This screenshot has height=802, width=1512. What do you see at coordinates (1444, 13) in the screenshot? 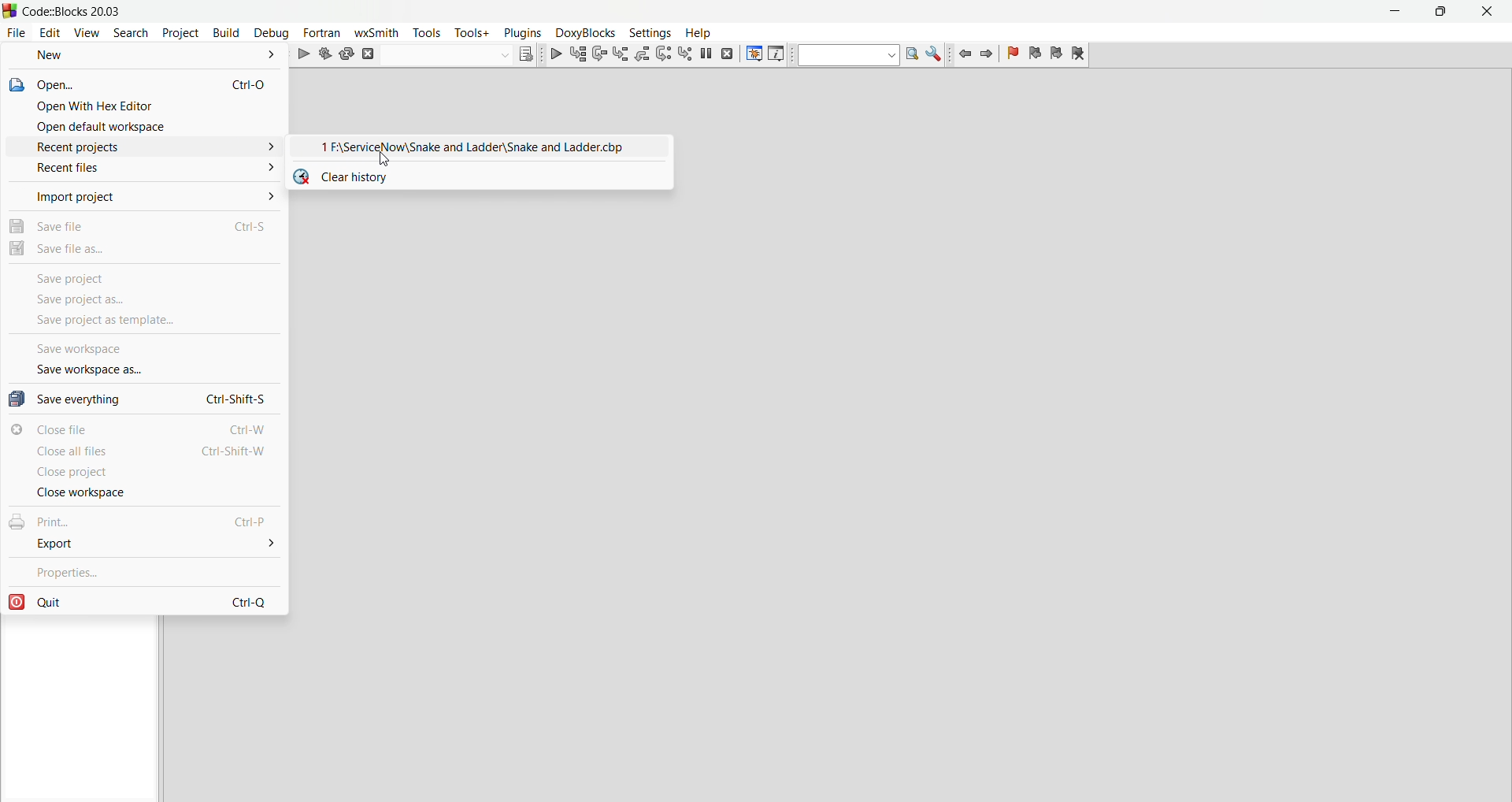
I see `maximize` at bounding box center [1444, 13].